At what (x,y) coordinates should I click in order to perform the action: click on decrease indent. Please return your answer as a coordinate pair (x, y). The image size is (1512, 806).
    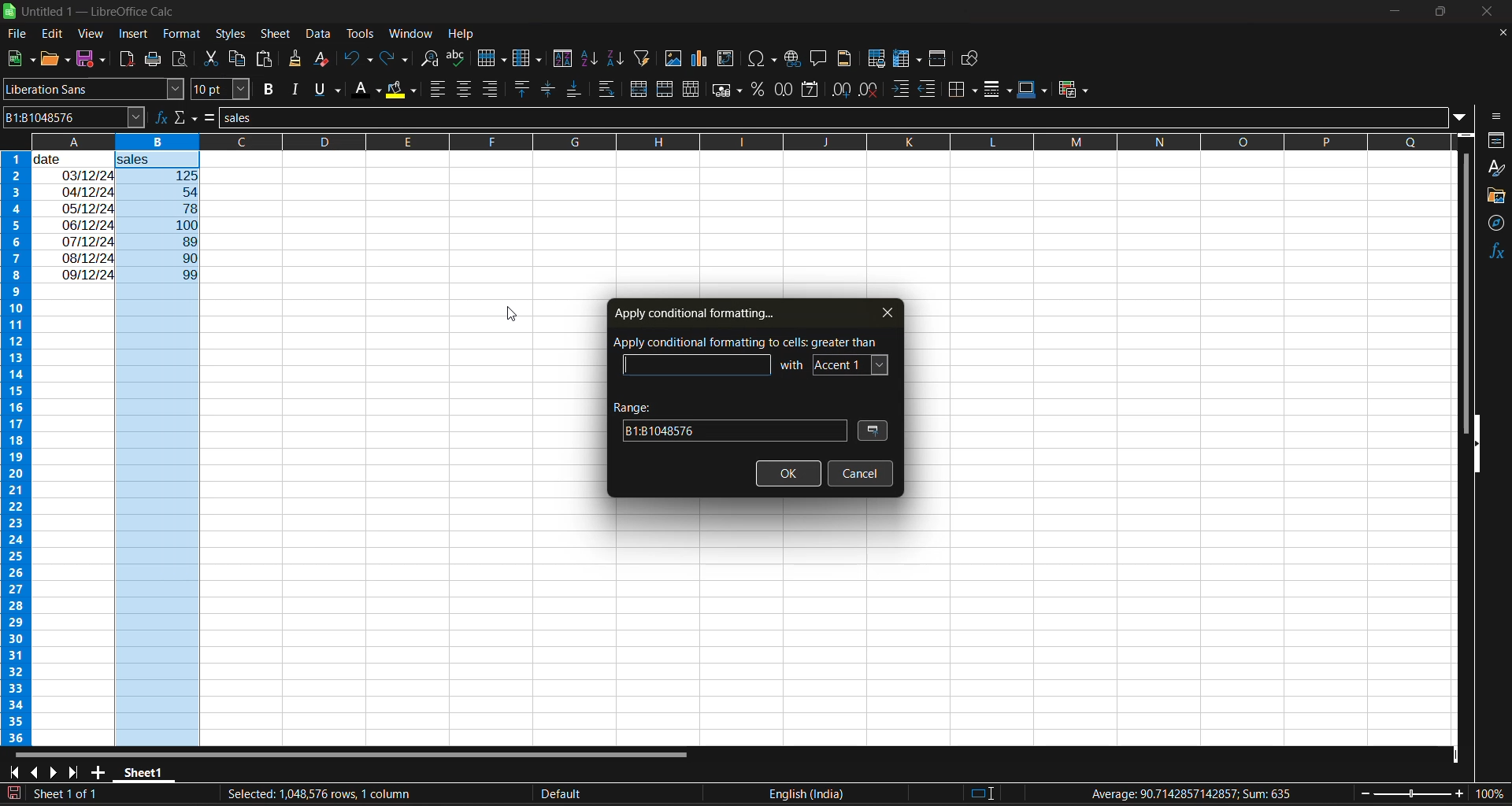
    Looking at the image, I should click on (930, 90).